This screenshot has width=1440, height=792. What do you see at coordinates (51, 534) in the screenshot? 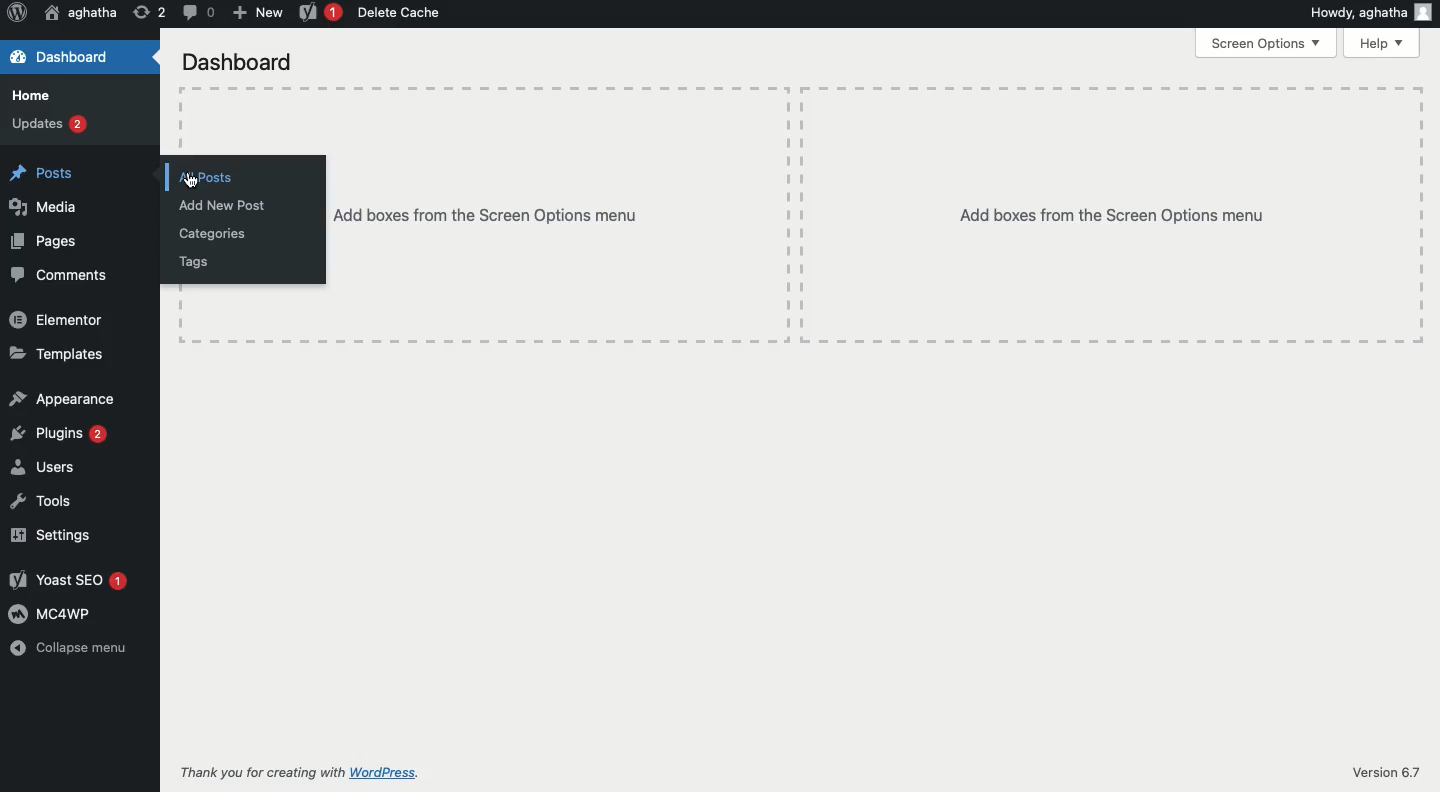
I see `Settings` at bounding box center [51, 534].